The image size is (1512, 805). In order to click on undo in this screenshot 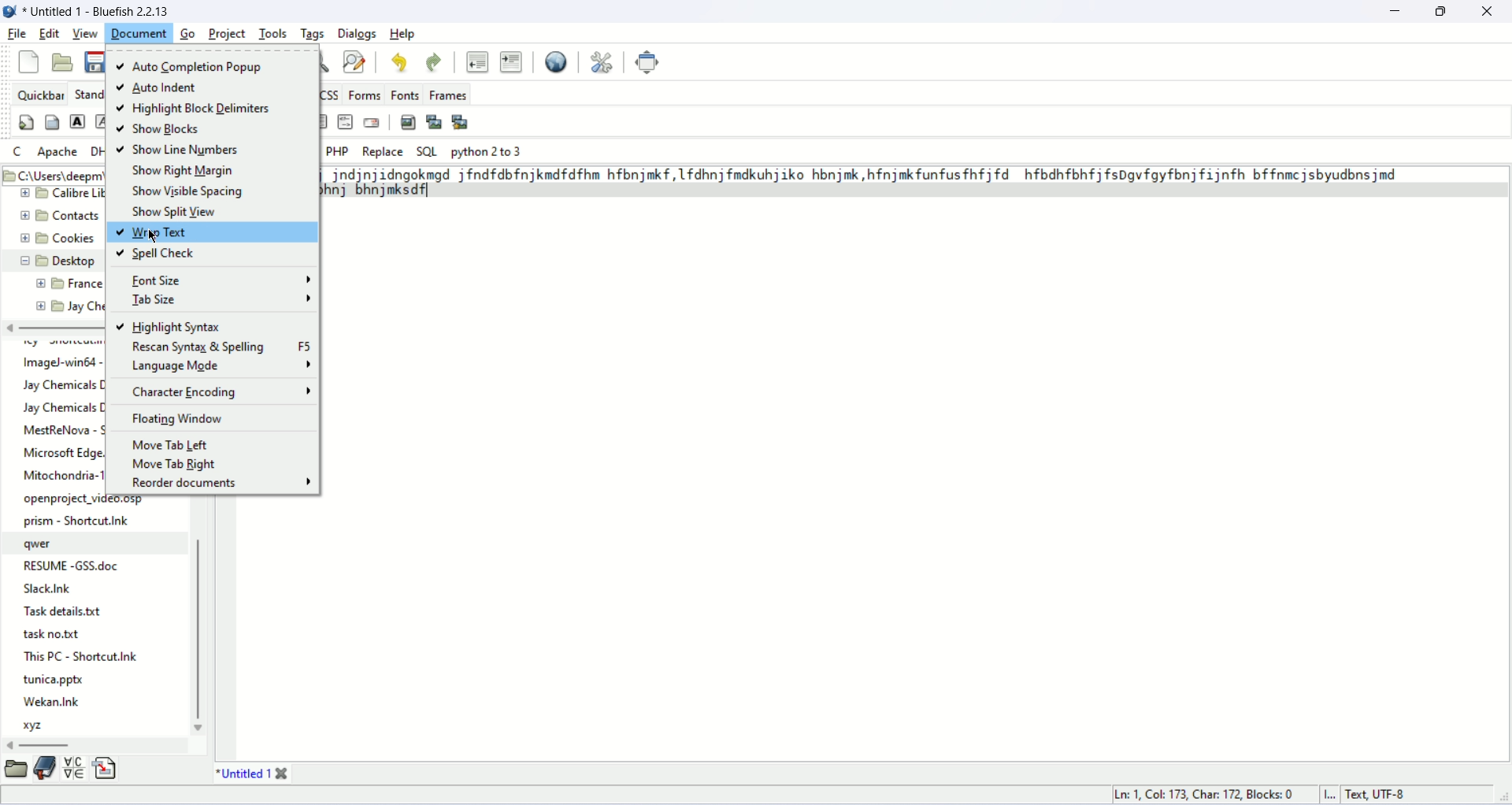, I will do `click(400, 61)`.